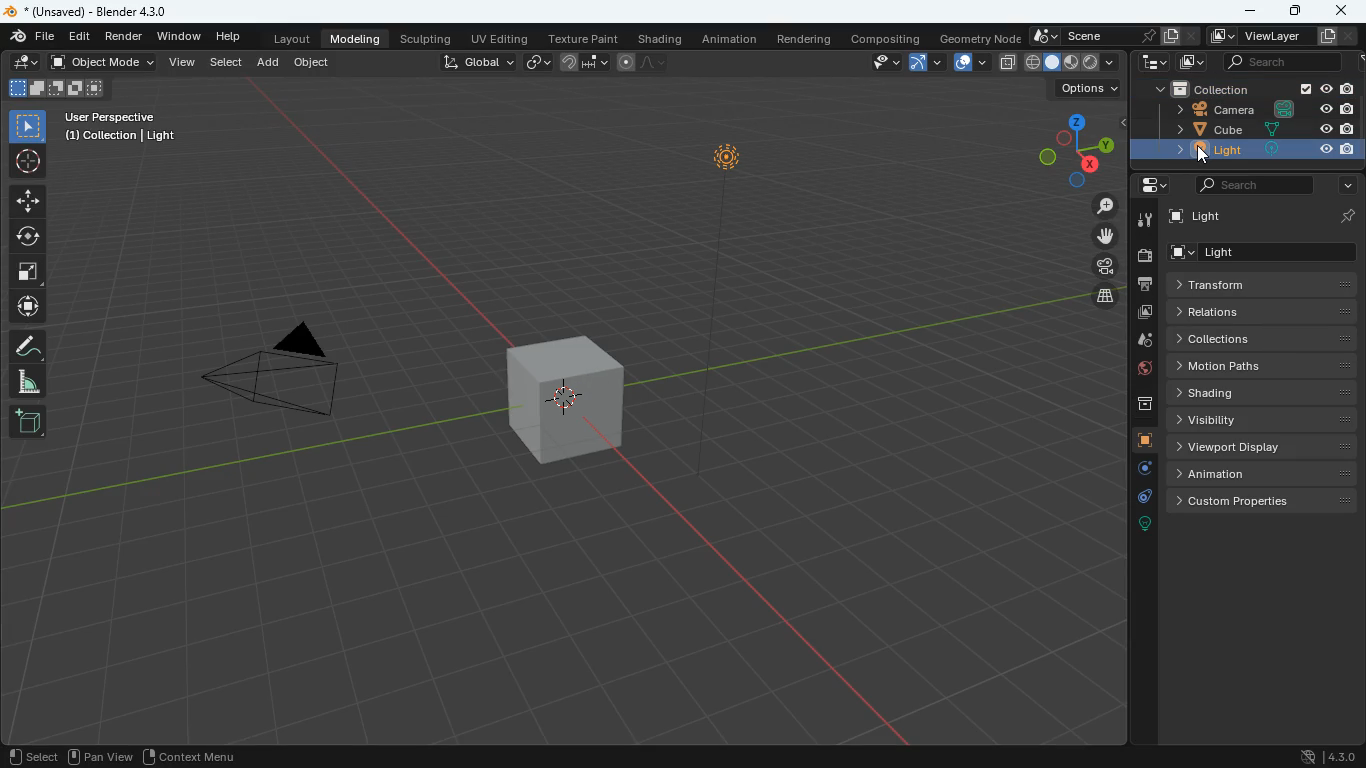 The height and width of the screenshot is (768, 1366). What do you see at coordinates (879, 62) in the screenshot?
I see `select` at bounding box center [879, 62].